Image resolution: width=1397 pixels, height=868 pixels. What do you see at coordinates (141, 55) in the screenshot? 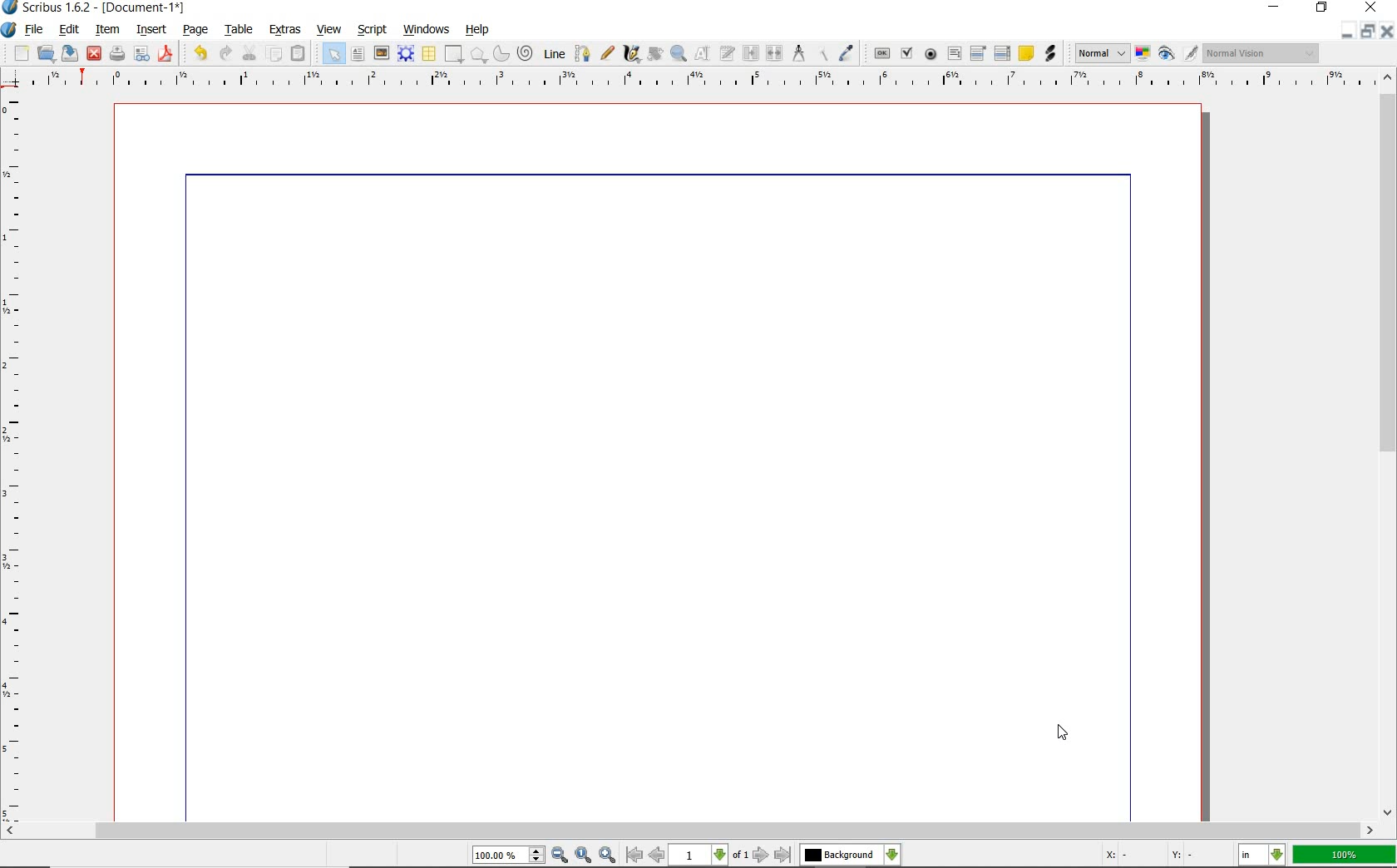
I see `preflight verifier` at bounding box center [141, 55].